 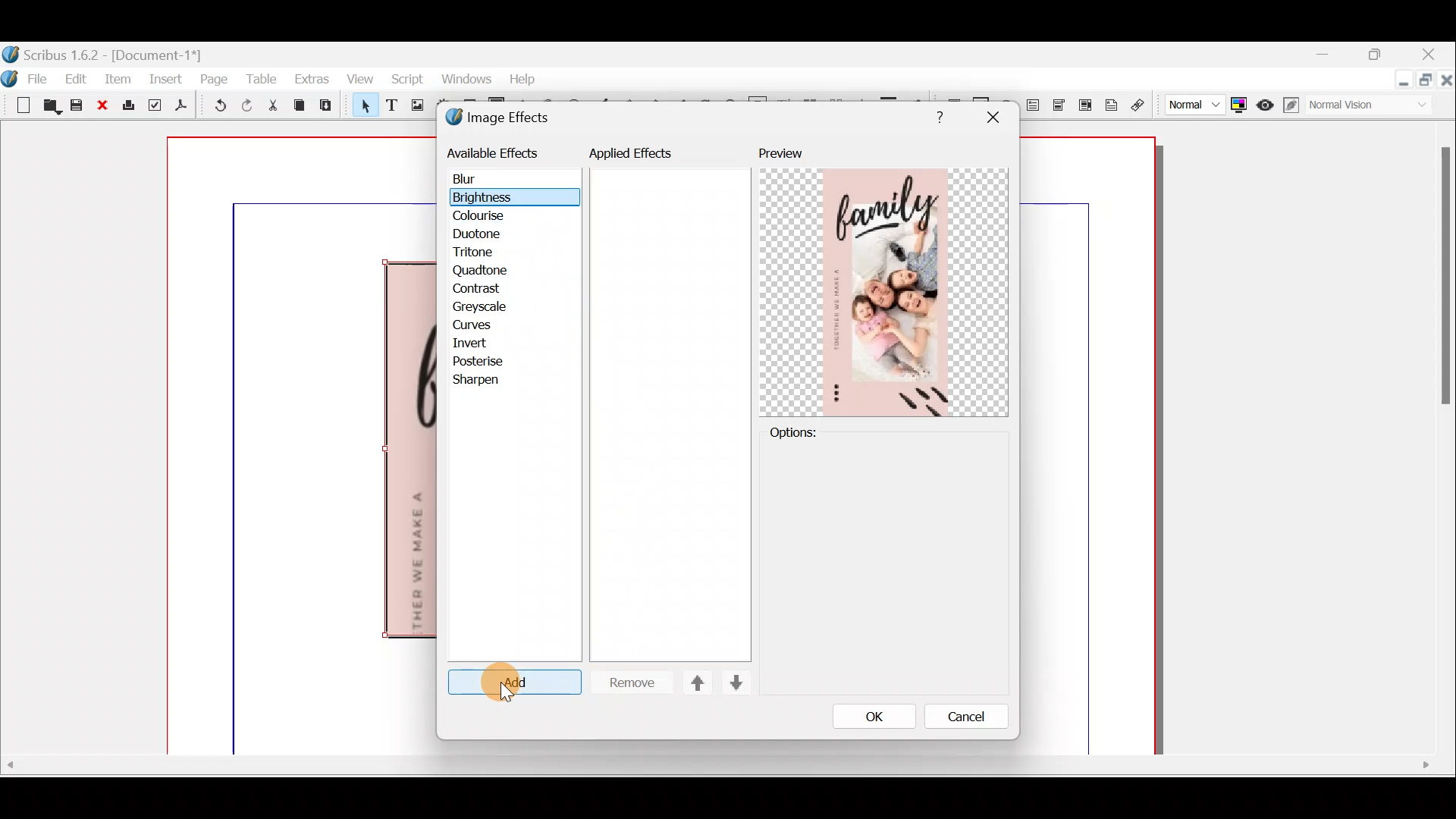 I want to click on PDF combo box, so click(x=1060, y=105).